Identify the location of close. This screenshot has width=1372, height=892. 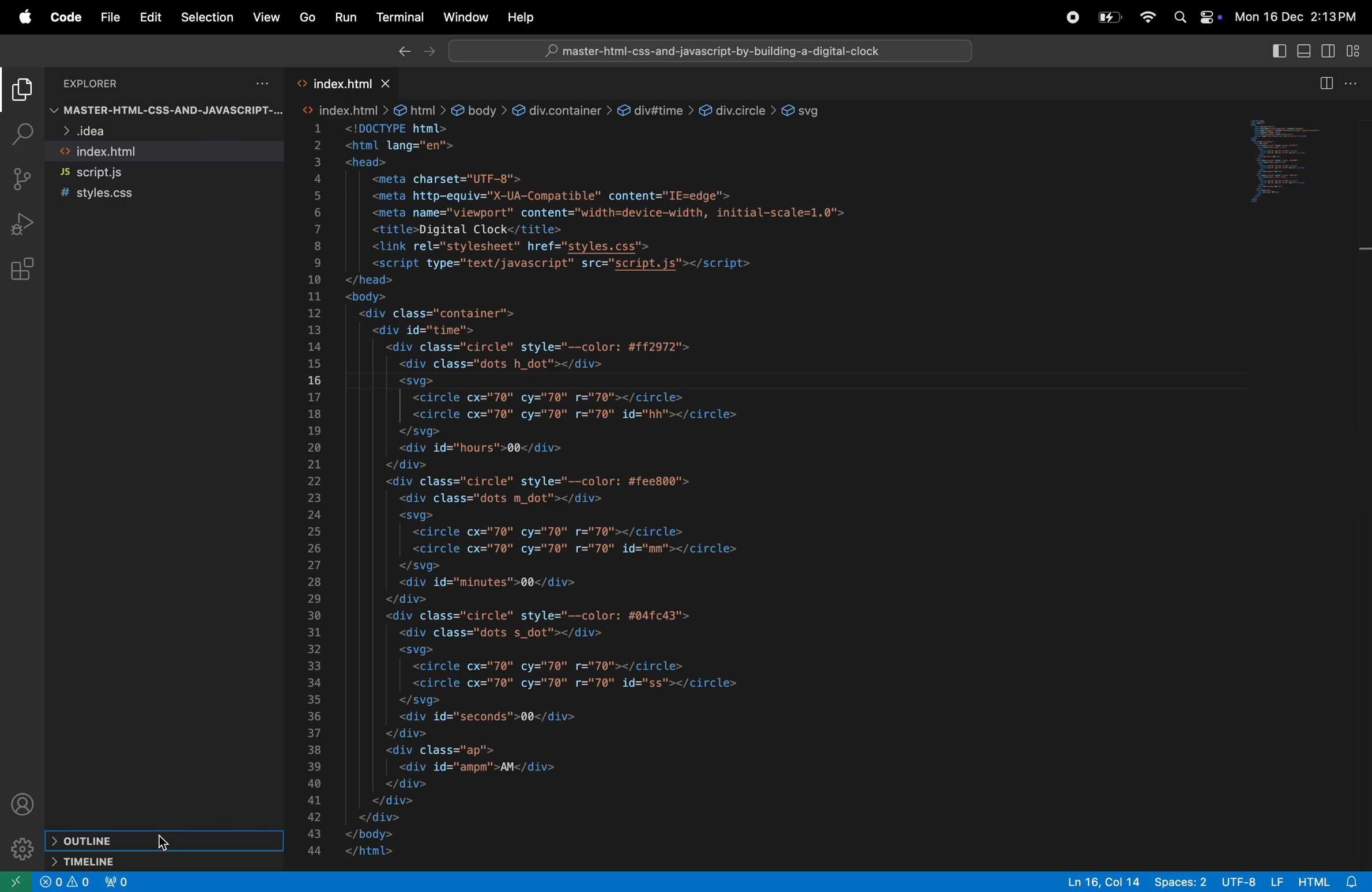
(388, 84).